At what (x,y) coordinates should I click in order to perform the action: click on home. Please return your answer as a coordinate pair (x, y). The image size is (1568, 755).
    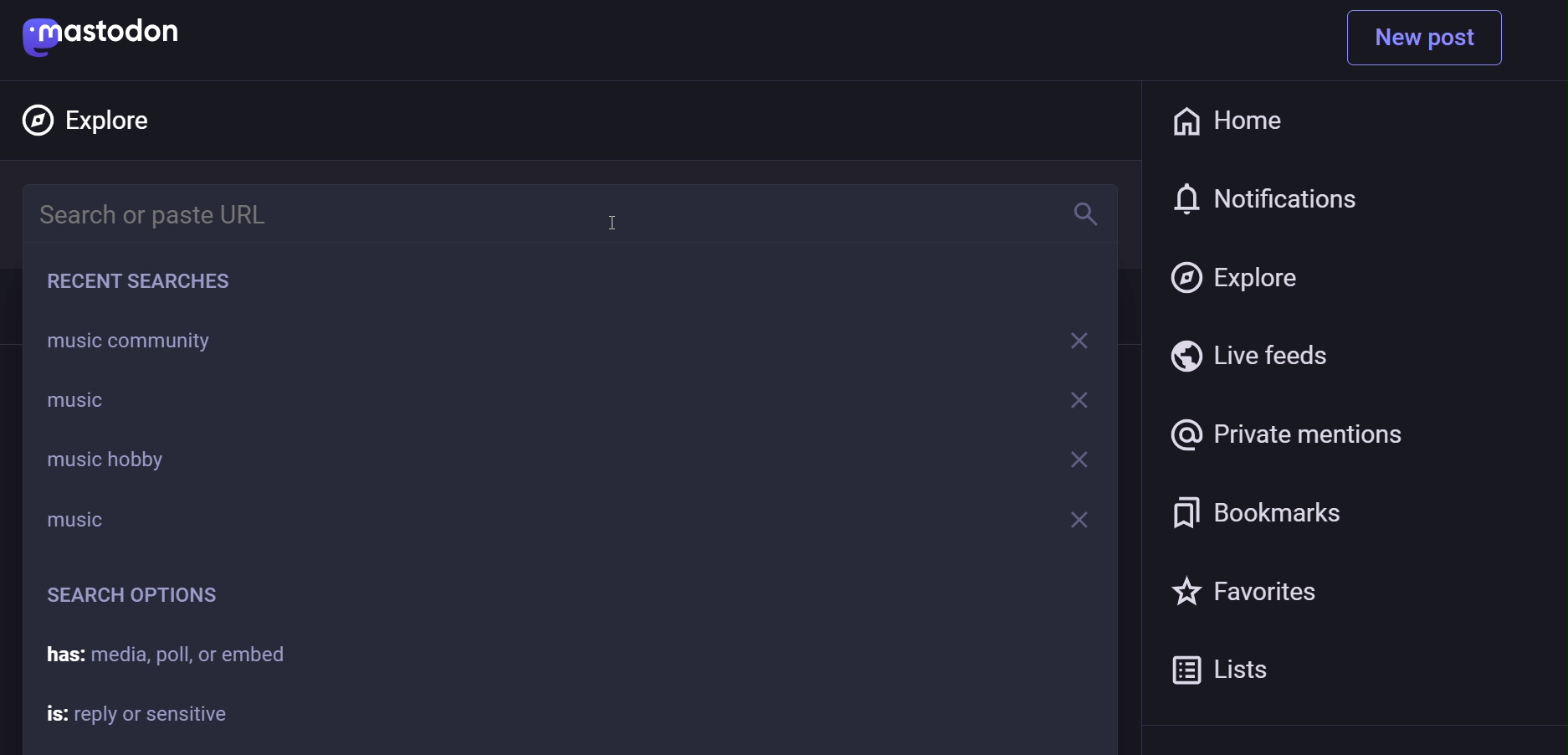
    Looking at the image, I should click on (1226, 122).